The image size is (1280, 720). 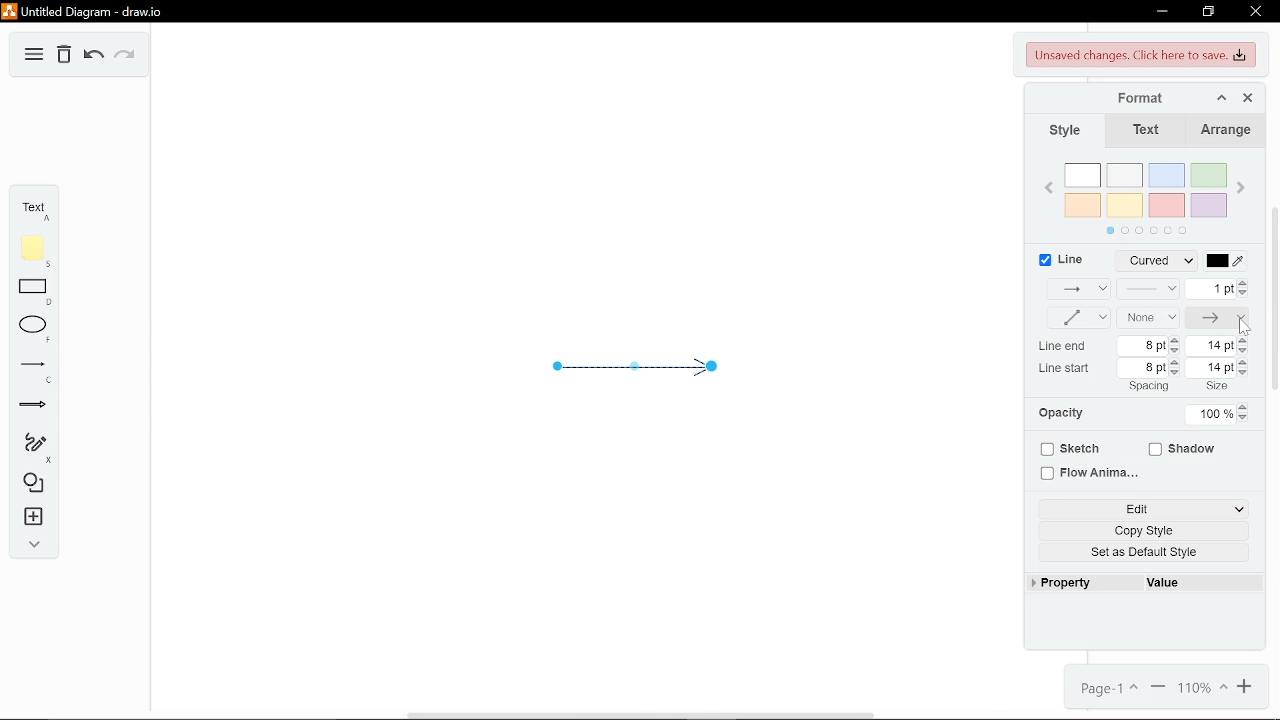 I want to click on Current line end spacing, so click(x=1140, y=346).